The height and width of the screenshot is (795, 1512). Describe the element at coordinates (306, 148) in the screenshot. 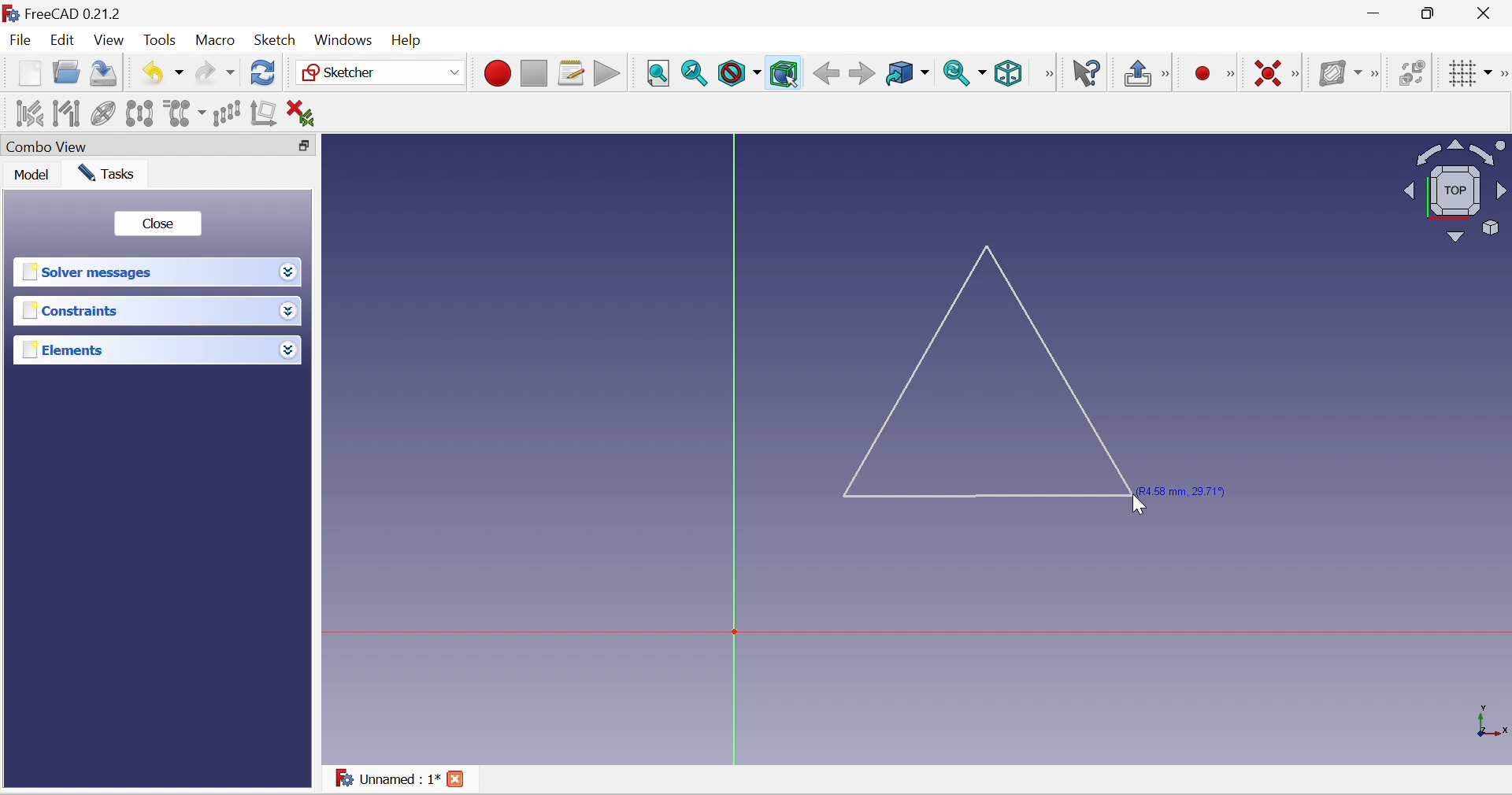

I see `Restore down` at that location.